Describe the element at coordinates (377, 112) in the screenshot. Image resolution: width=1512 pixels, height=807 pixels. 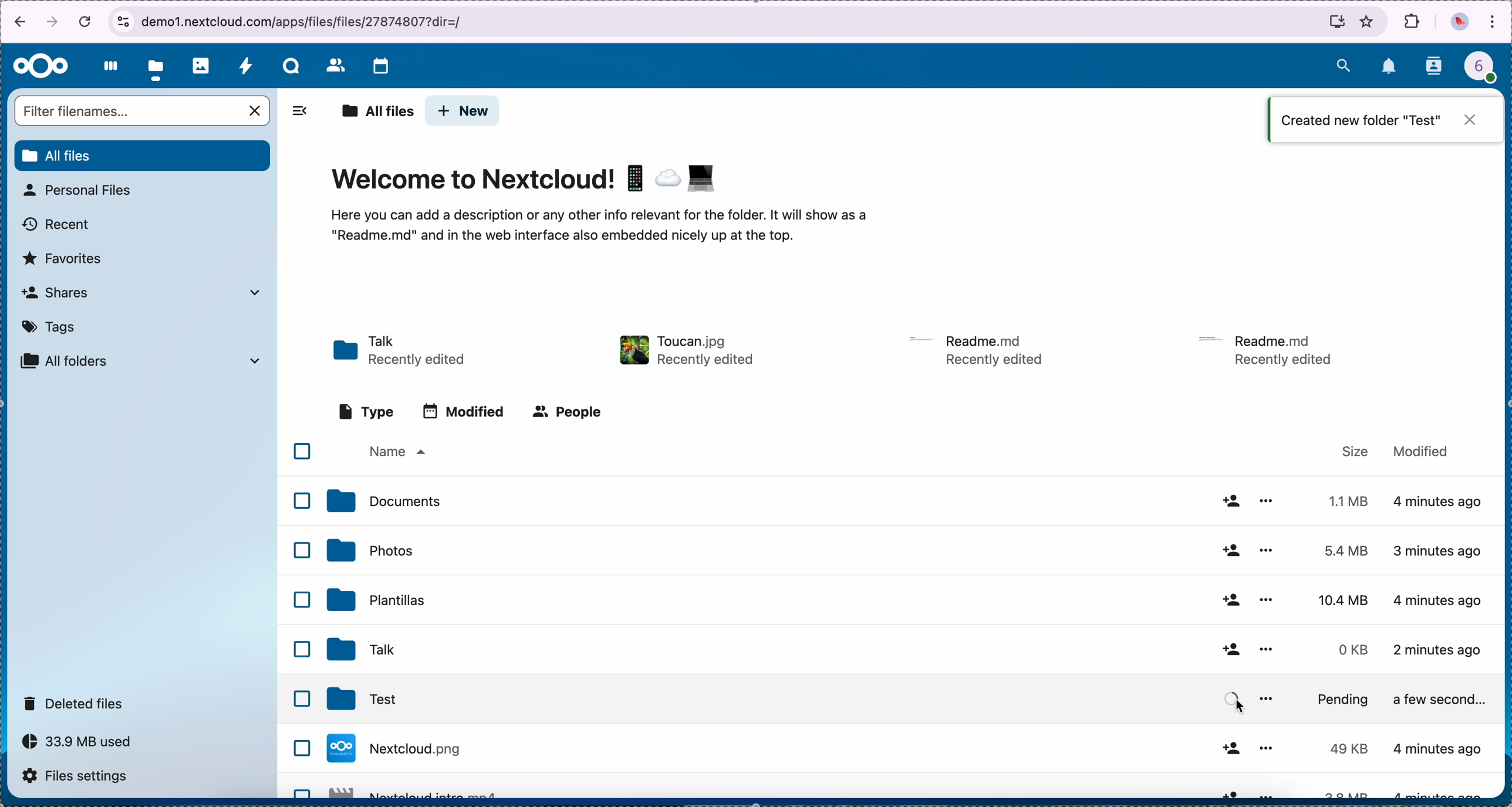
I see `all files` at that location.